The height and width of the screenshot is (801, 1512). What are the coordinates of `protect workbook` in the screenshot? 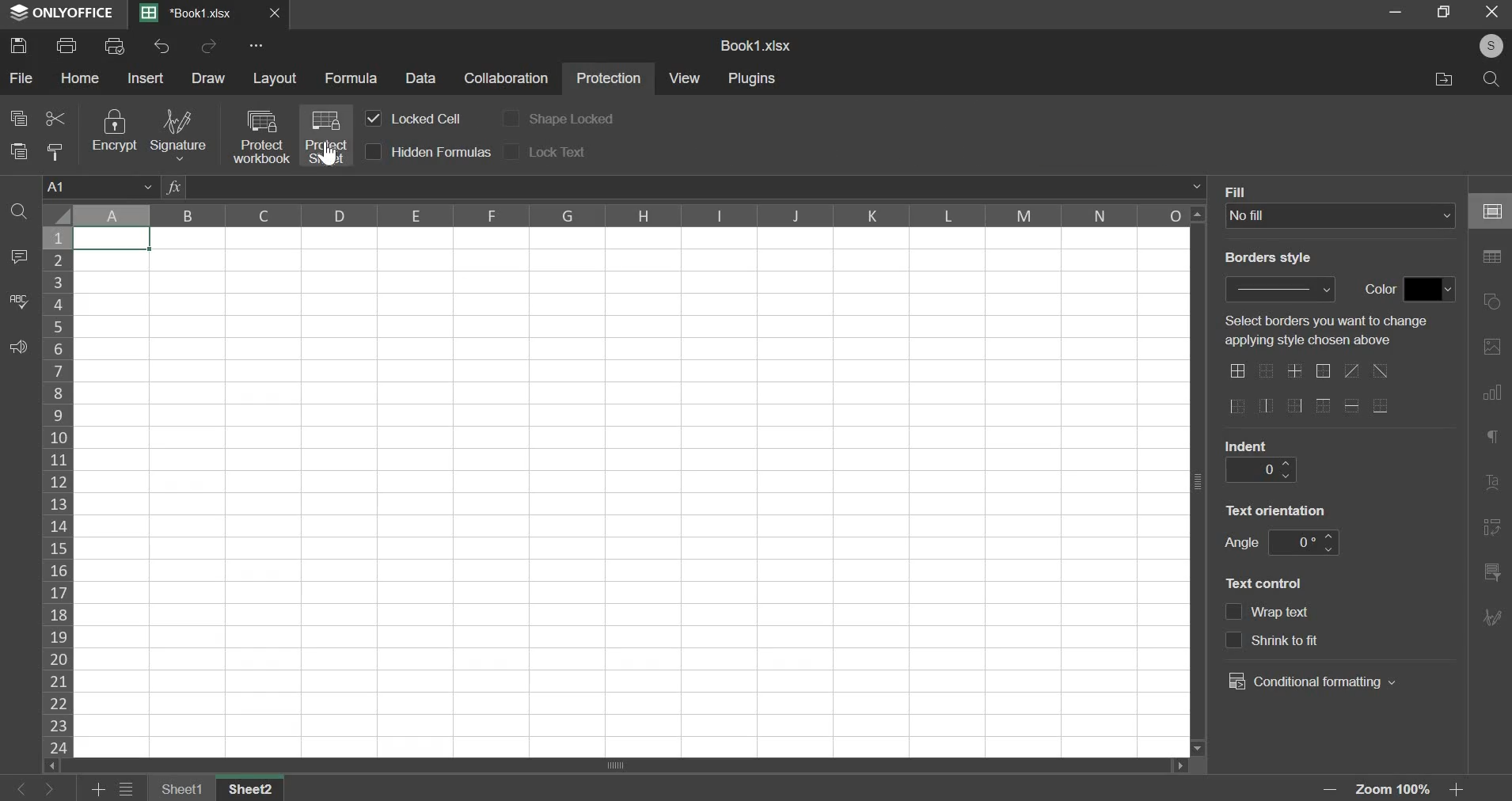 It's located at (260, 136).